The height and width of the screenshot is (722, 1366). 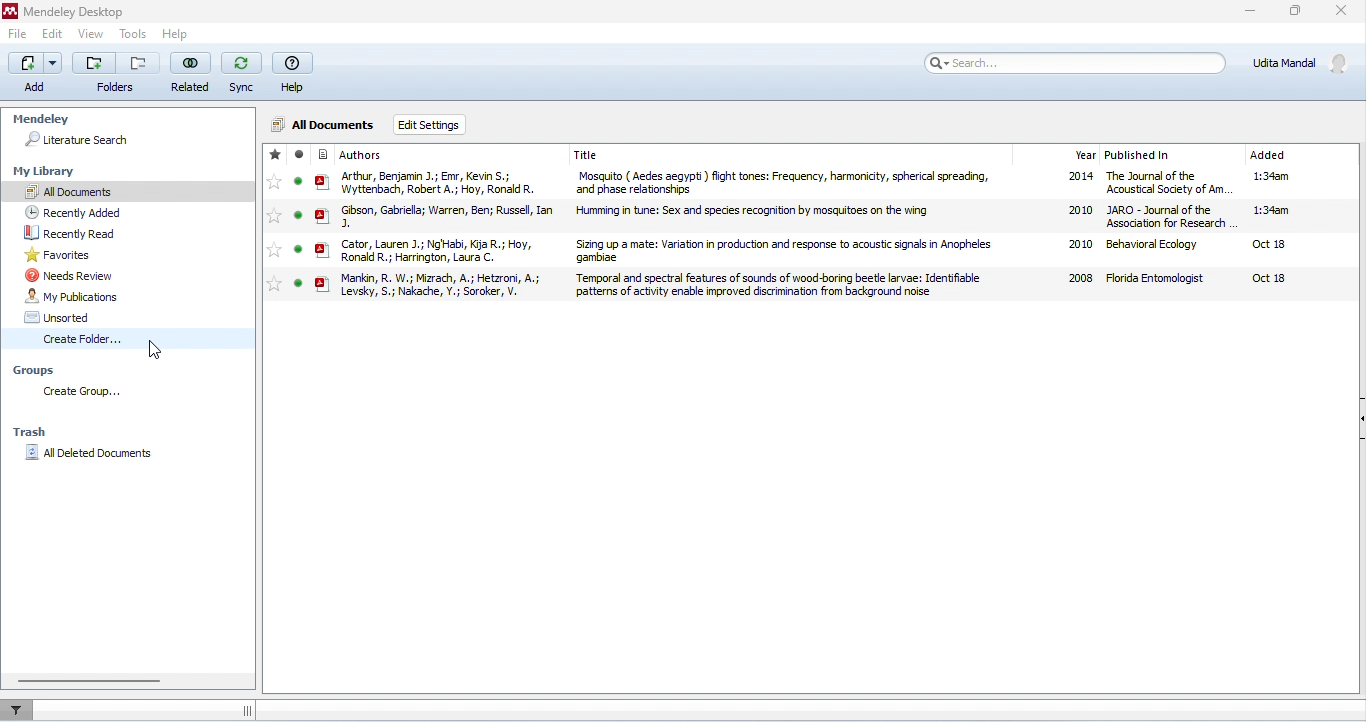 I want to click on Mosquito ( Aedes aegypti ) flight tones: Frequency, harmonicity, spherical spreading, and phase relationships , so click(x=784, y=183).